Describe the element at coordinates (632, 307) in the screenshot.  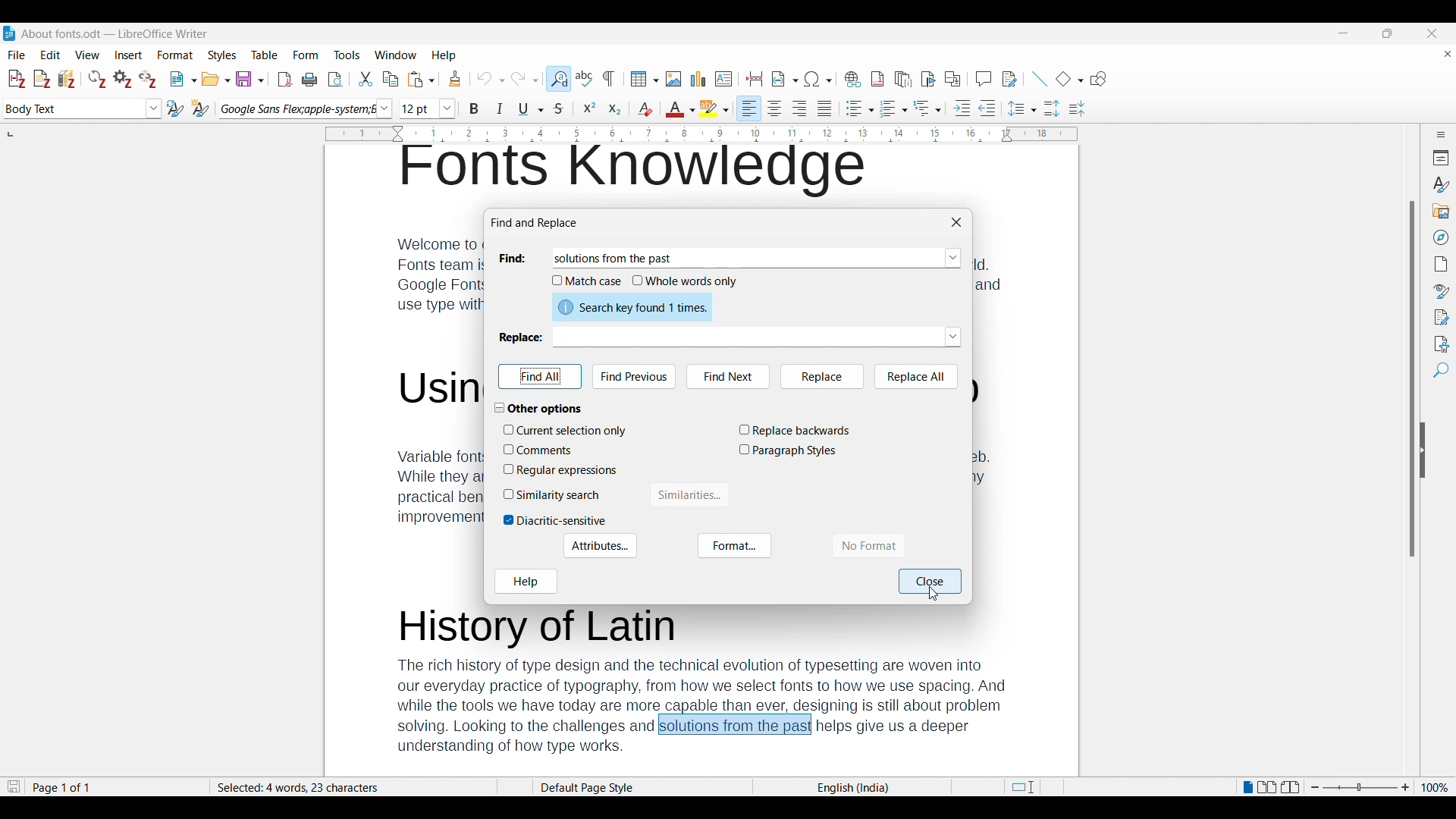
I see `Information about search results` at that location.